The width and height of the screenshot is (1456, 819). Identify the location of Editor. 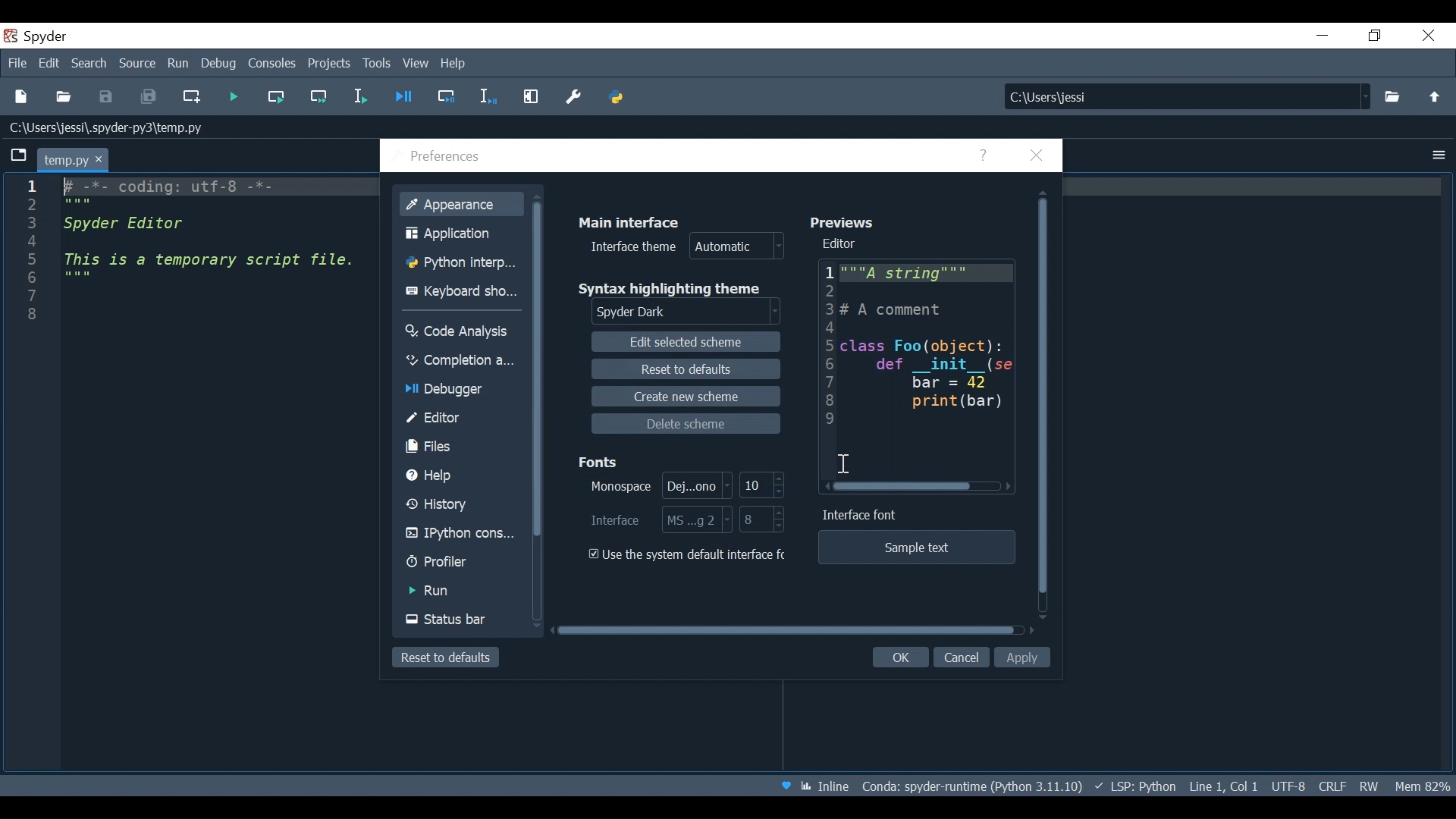
(841, 244).